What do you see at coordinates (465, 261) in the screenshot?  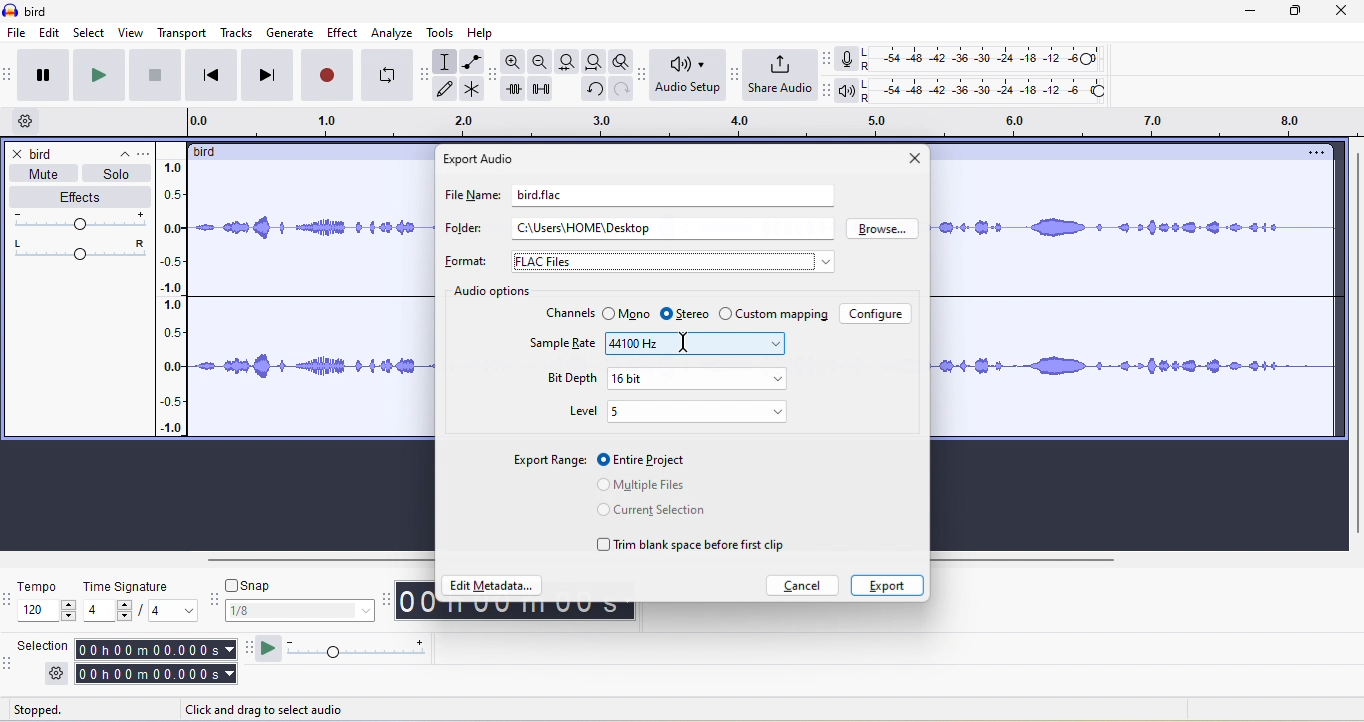 I see `format` at bounding box center [465, 261].